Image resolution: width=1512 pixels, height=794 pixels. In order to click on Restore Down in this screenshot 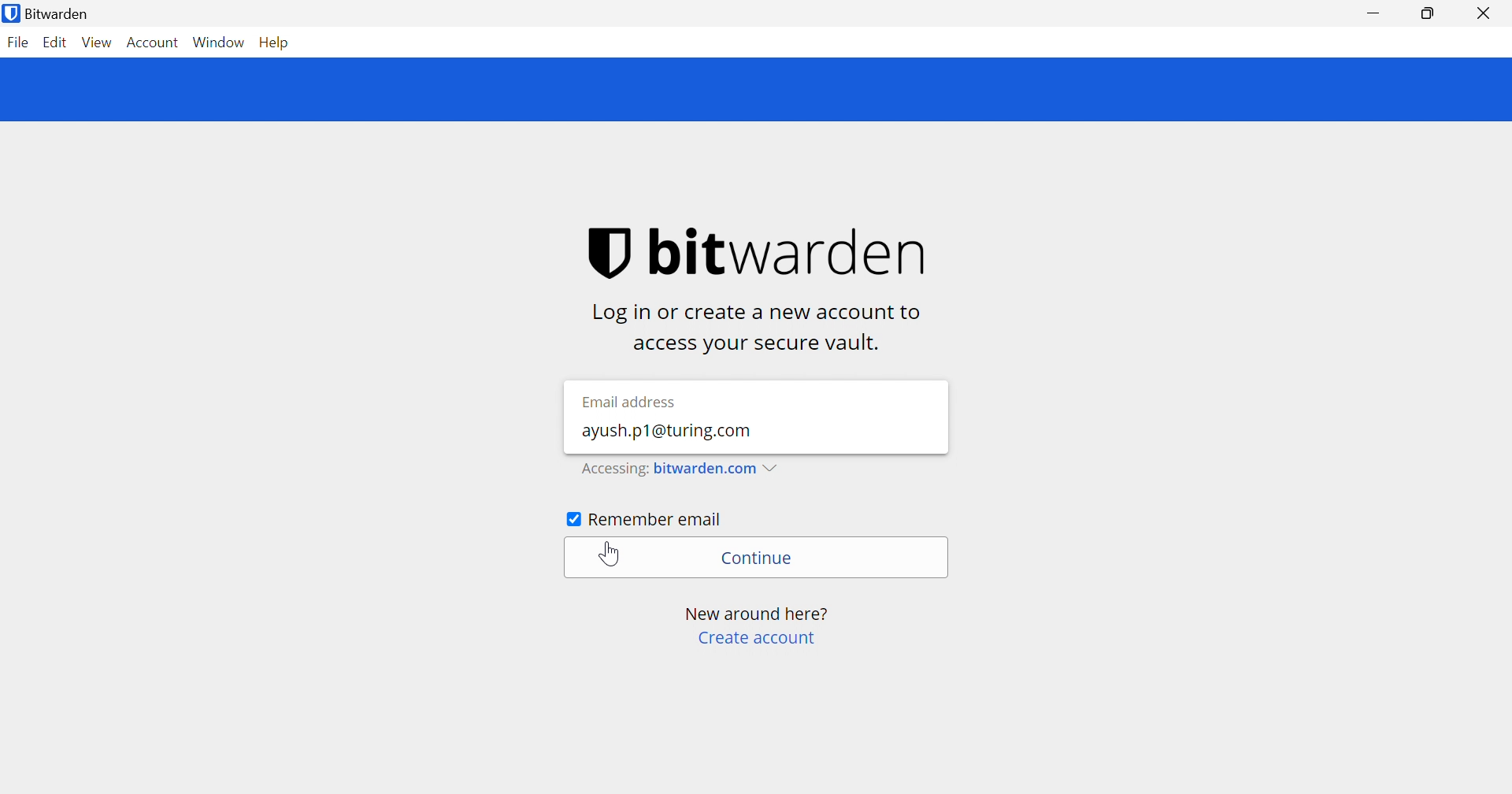, I will do `click(1426, 13)`.